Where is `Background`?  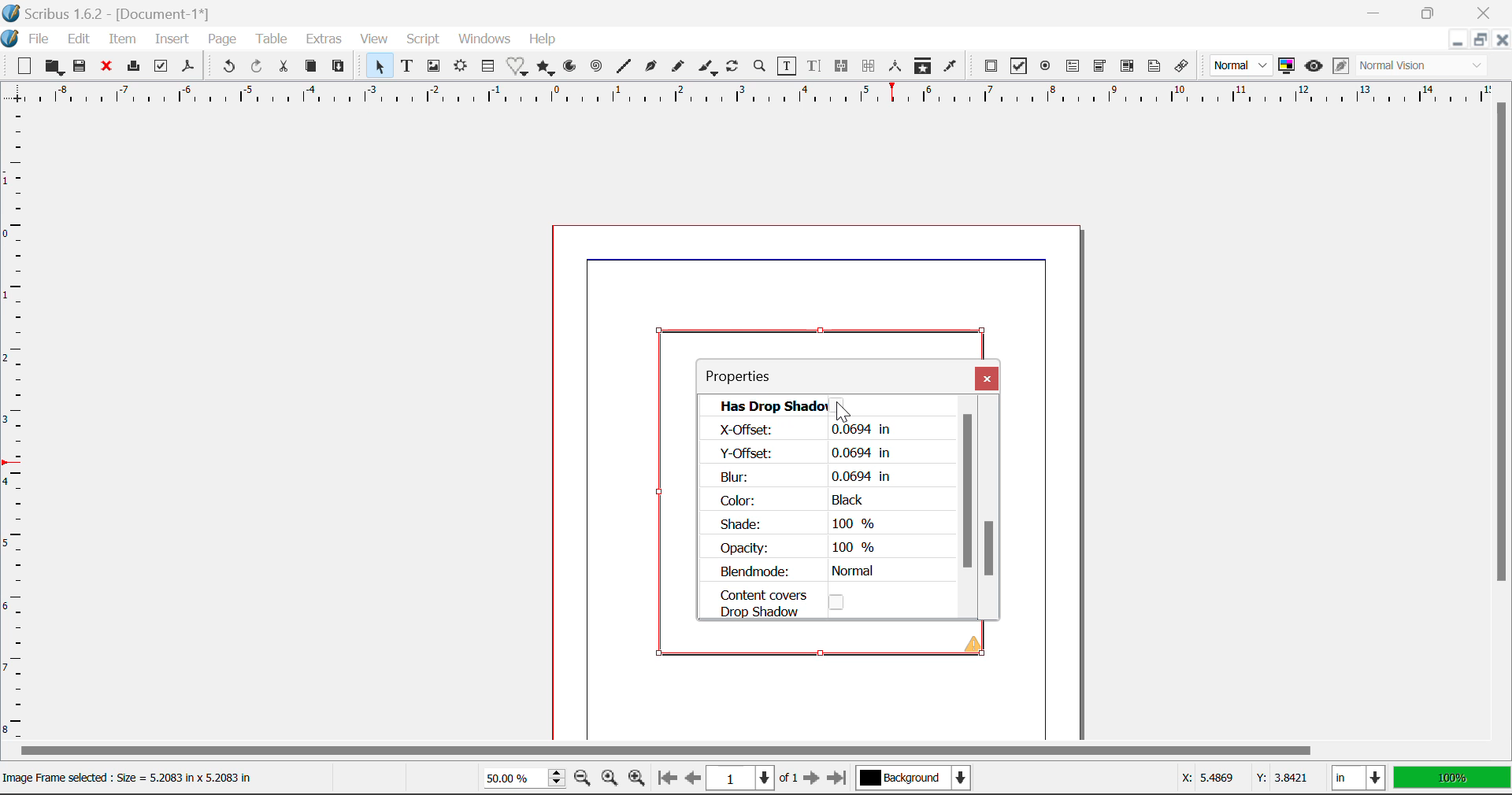 Background is located at coordinates (917, 779).